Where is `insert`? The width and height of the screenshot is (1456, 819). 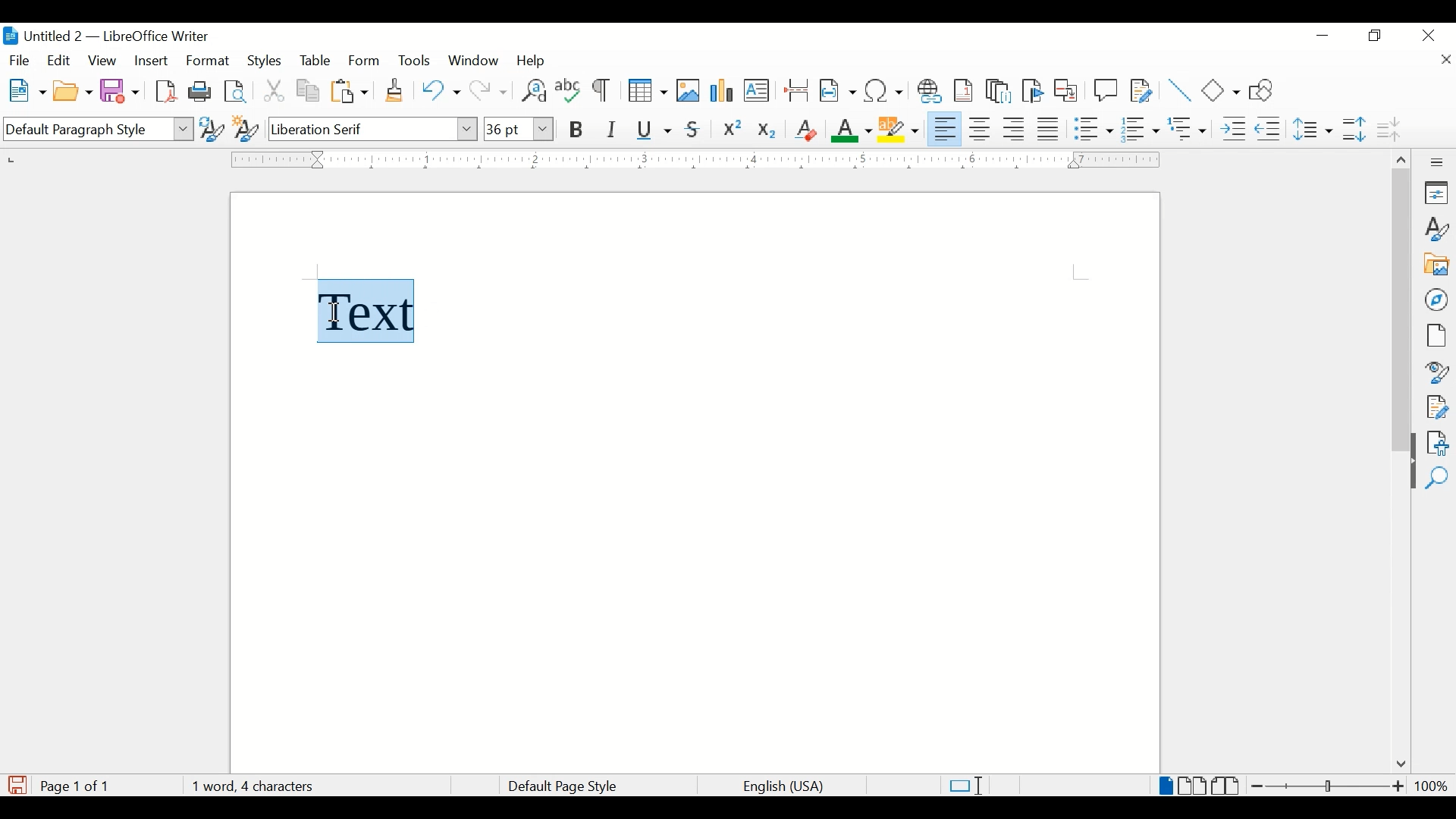
insert is located at coordinates (150, 61).